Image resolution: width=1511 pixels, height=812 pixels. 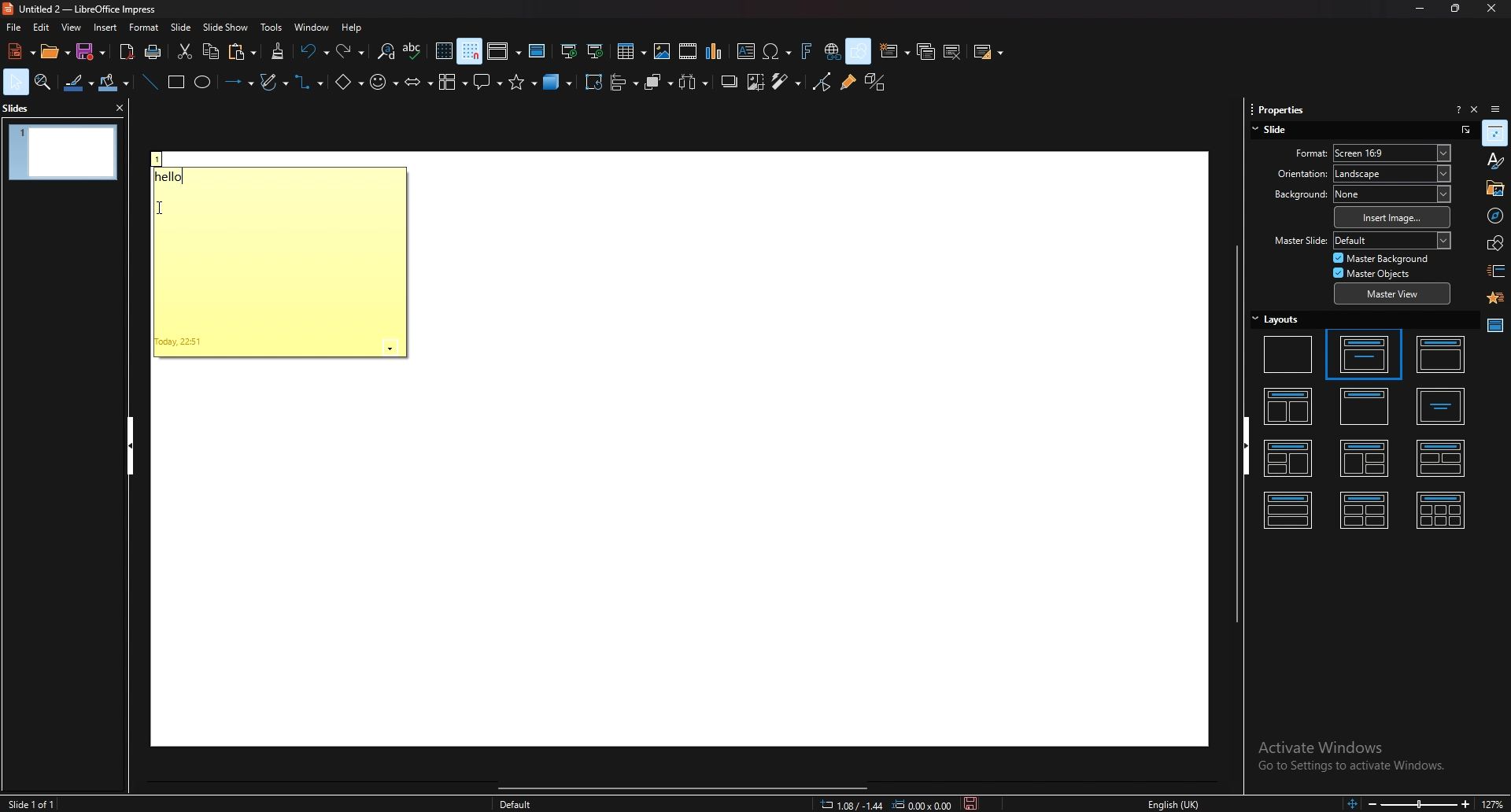 What do you see at coordinates (1494, 161) in the screenshot?
I see `styles` at bounding box center [1494, 161].